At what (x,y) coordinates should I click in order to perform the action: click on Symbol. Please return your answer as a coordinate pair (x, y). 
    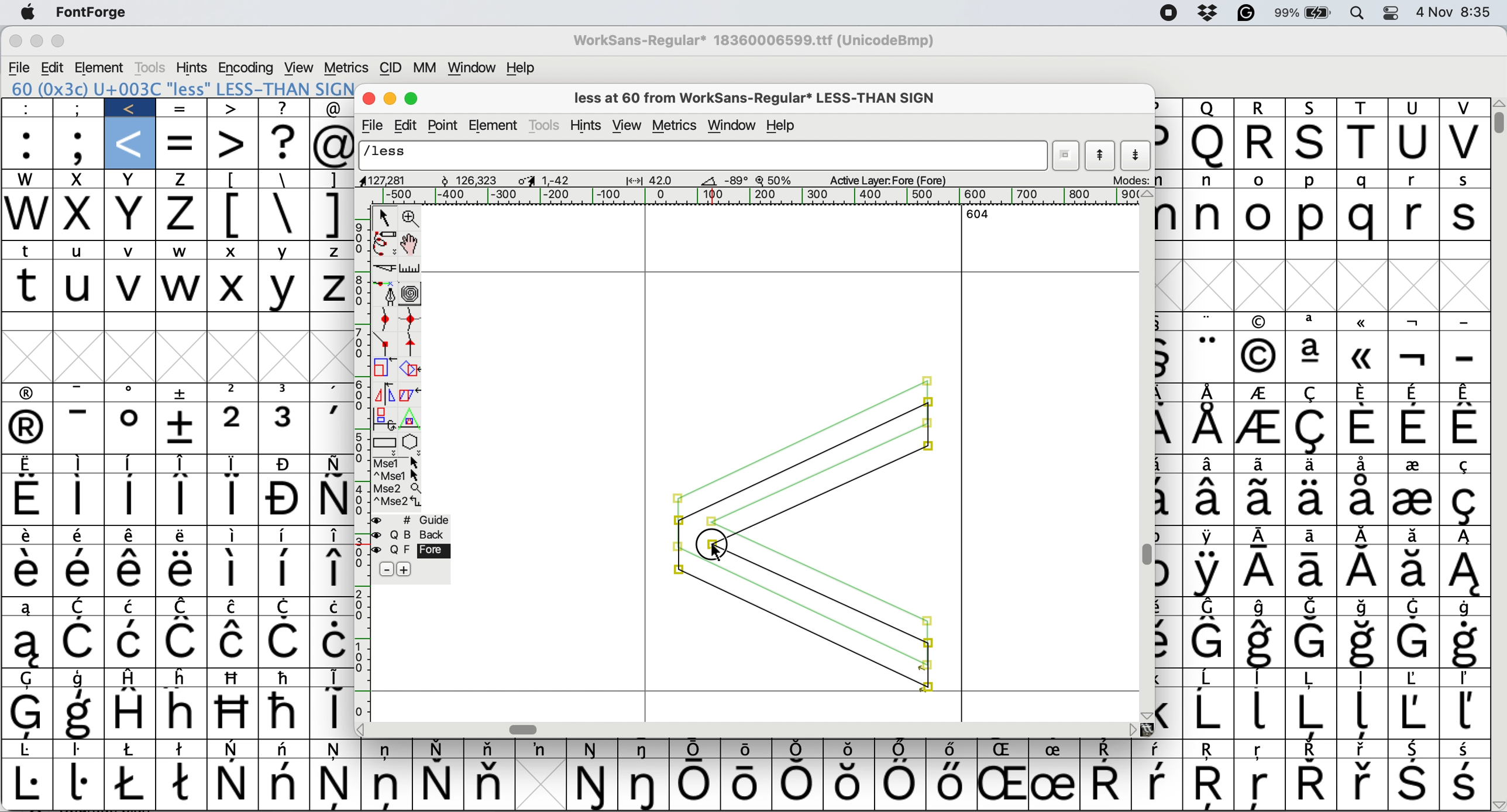
    Looking at the image, I should click on (1210, 392).